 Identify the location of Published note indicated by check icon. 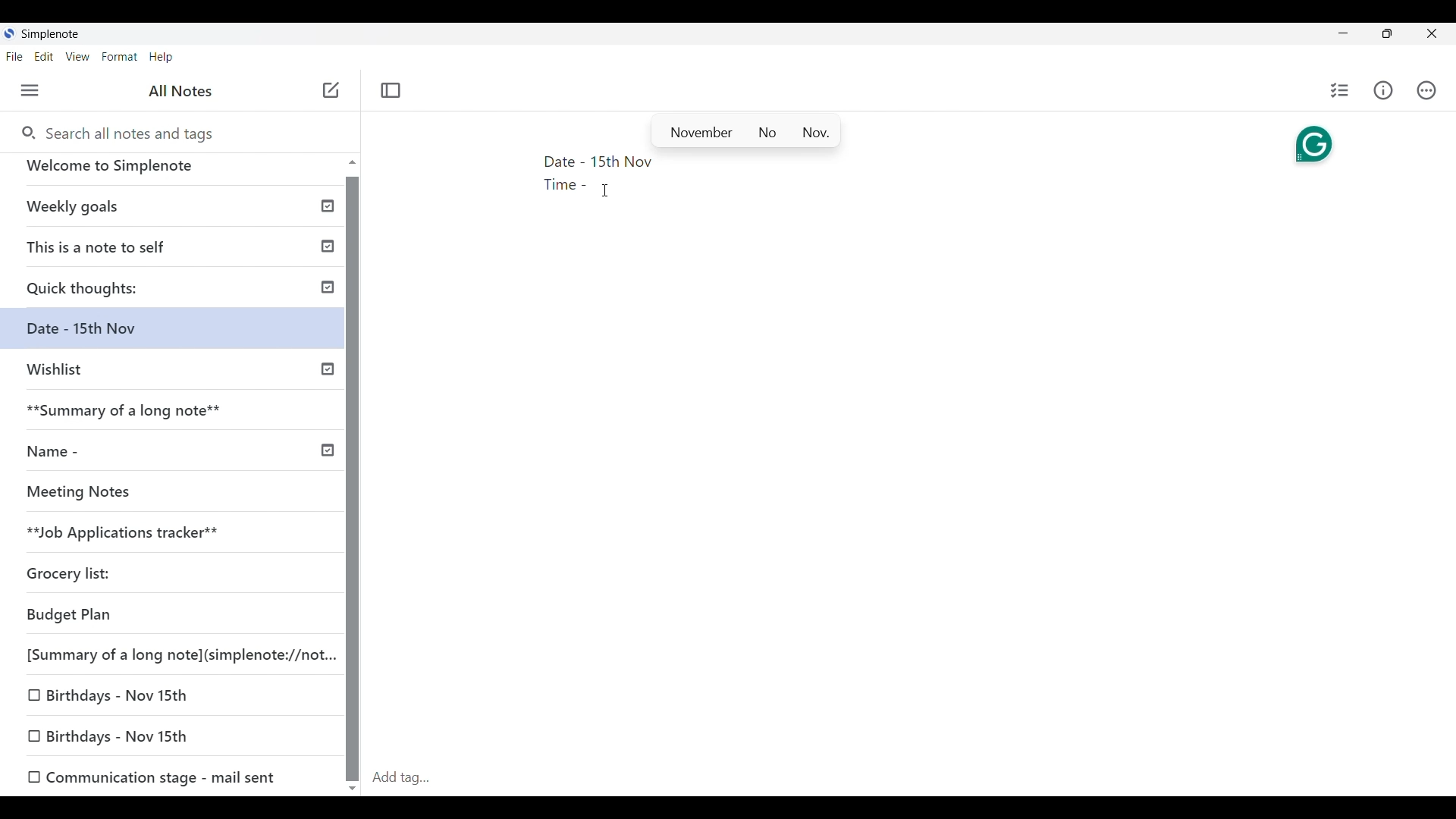
(174, 212).